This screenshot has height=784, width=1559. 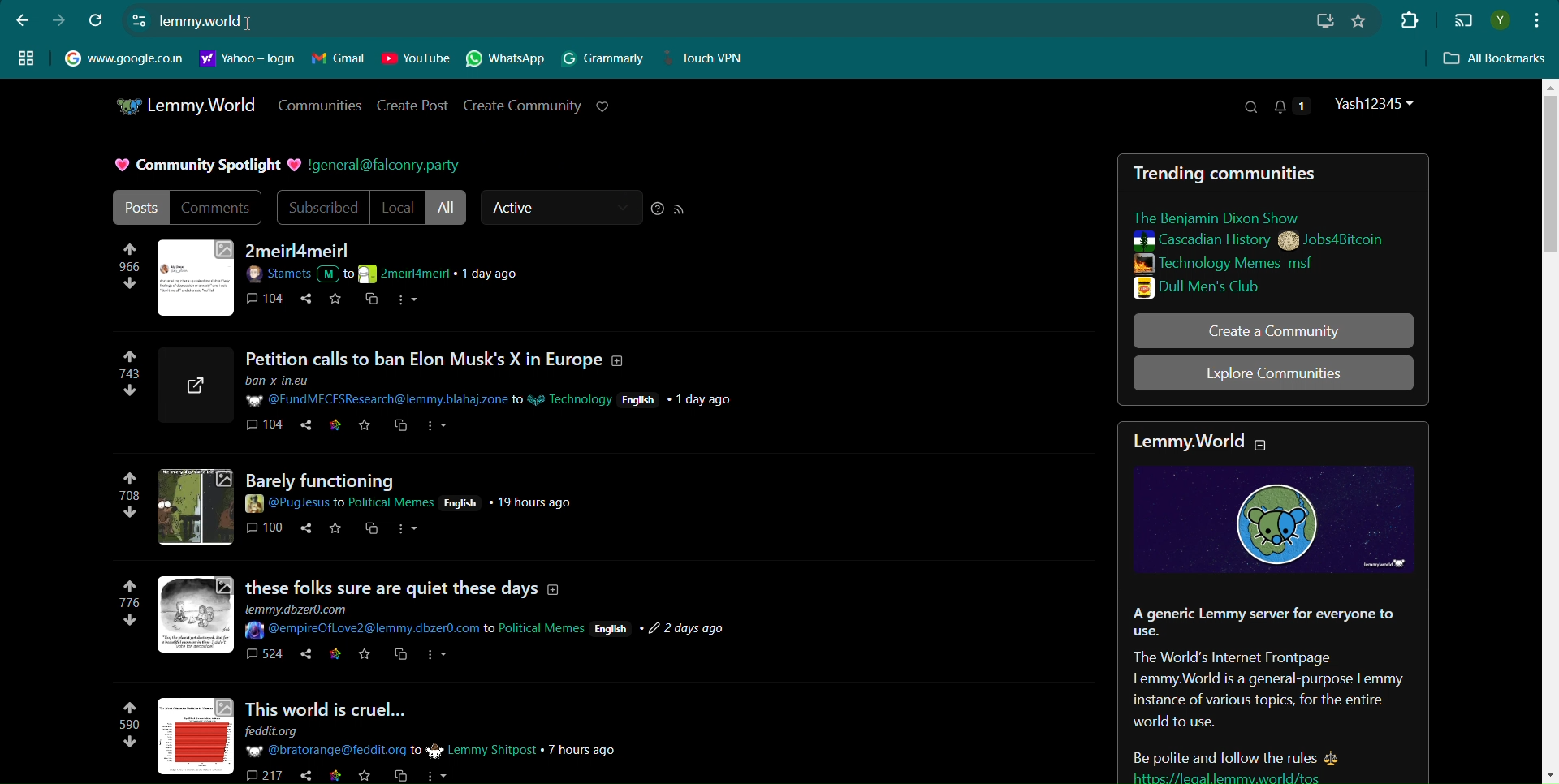 I want to click on copy, so click(x=371, y=534).